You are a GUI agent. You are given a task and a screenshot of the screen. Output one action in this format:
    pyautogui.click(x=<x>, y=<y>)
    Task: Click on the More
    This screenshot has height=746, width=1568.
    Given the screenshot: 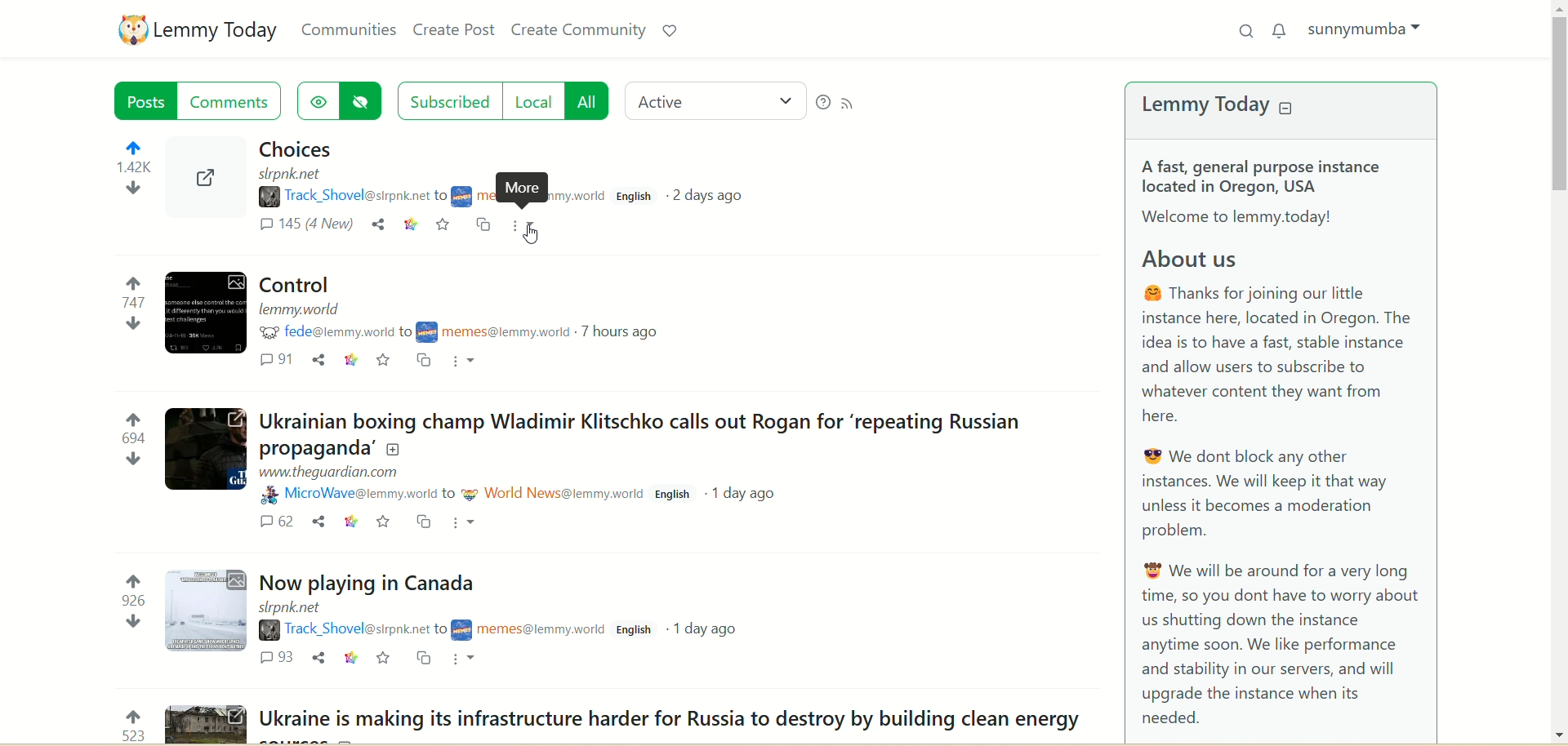 What is the action you would take?
    pyautogui.click(x=469, y=660)
    